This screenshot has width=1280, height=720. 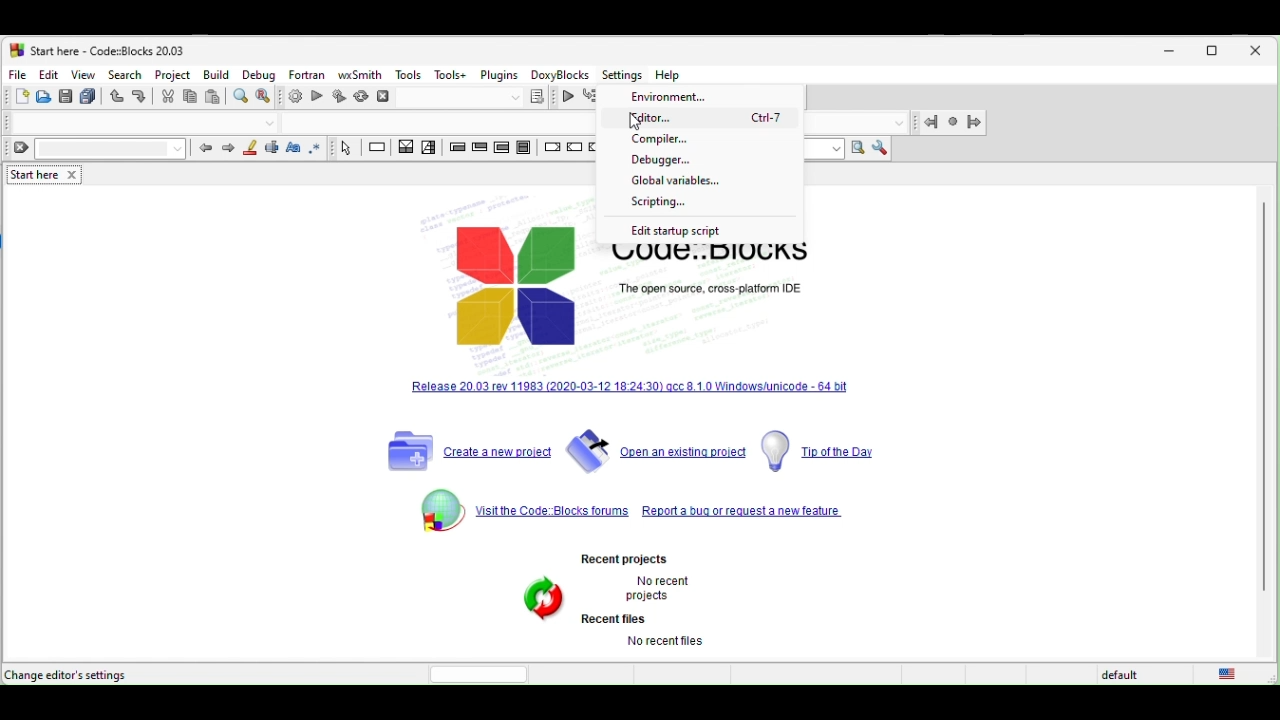 What do you see at coordinates (260, 75) in the screenshot?
I see `debug` at bounding box center [260, 75].